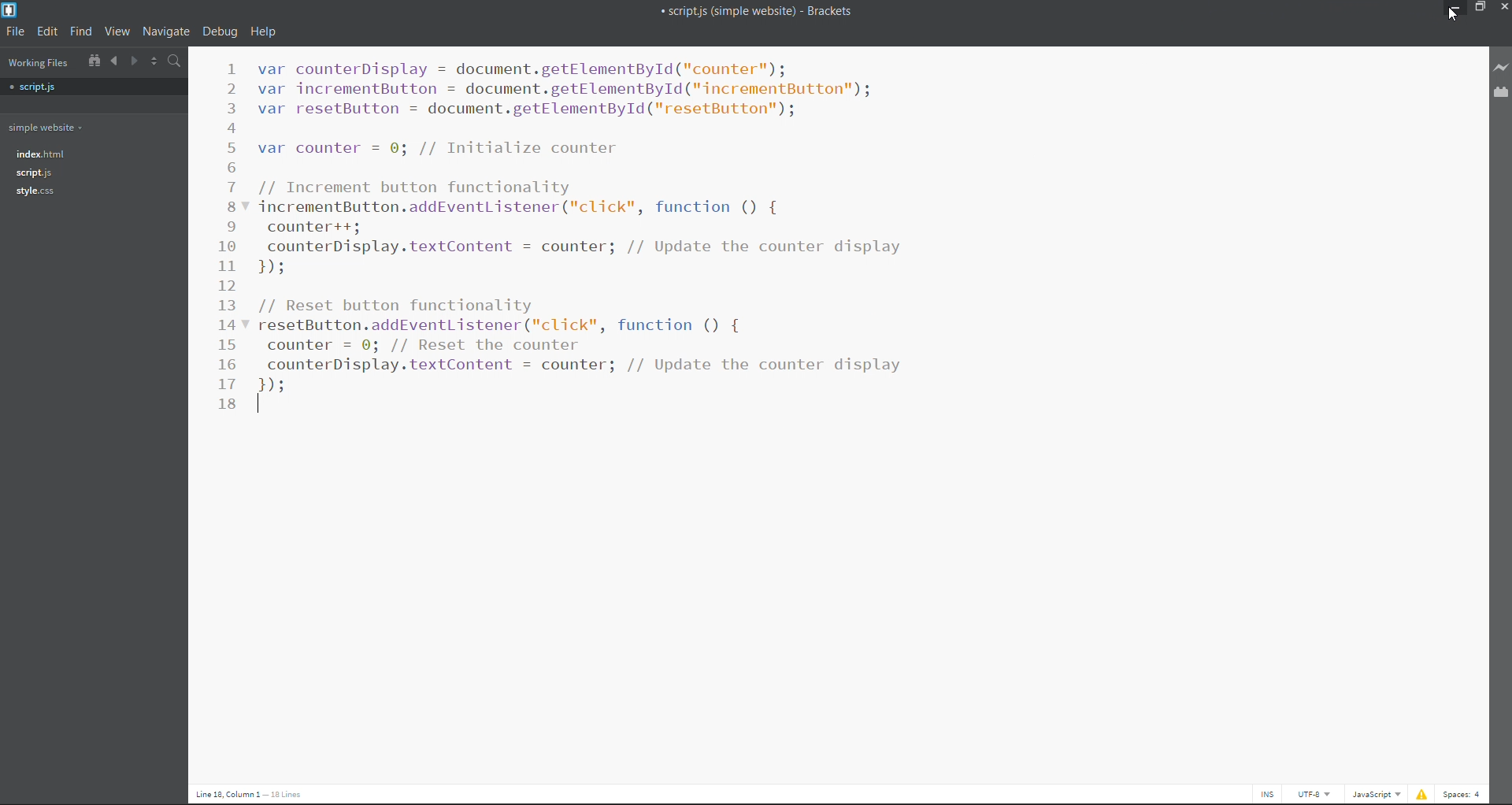 Image resolution: width=1512 pixels, height=805 pixels. I want to click on style.jss, so click(49, 193).